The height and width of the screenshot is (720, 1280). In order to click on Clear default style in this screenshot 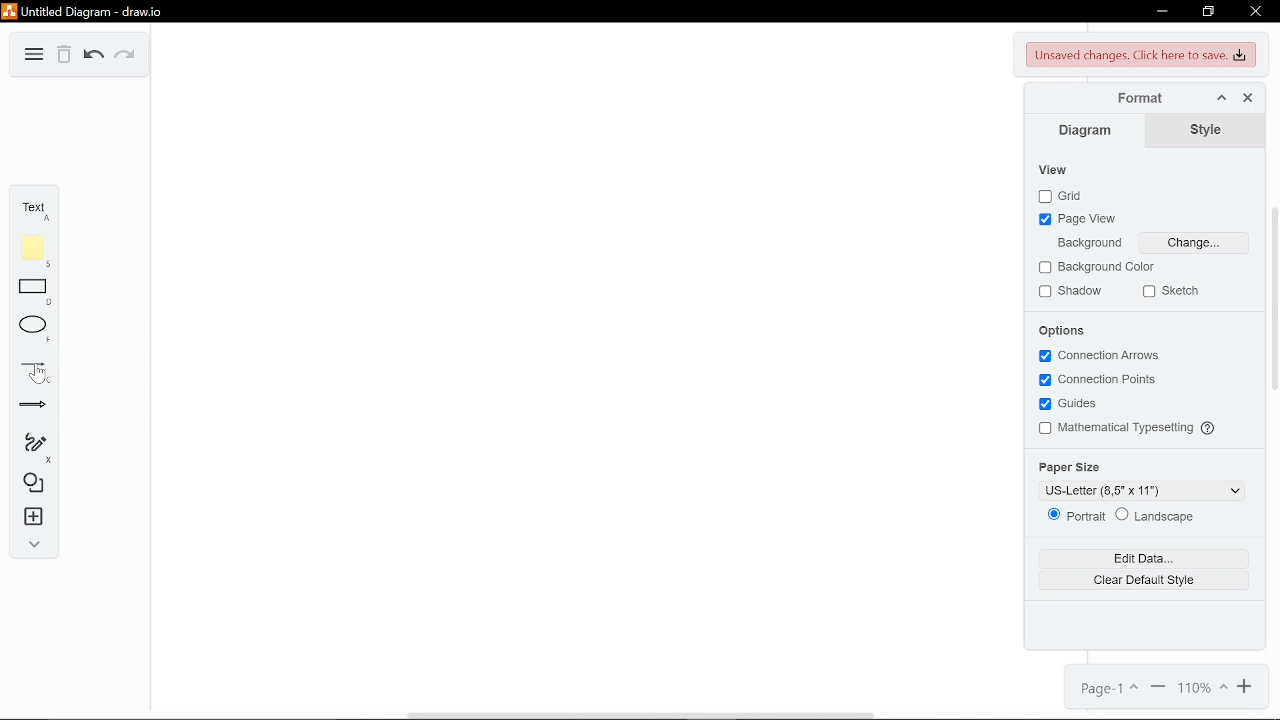, I will do `click(1131, 578)`.